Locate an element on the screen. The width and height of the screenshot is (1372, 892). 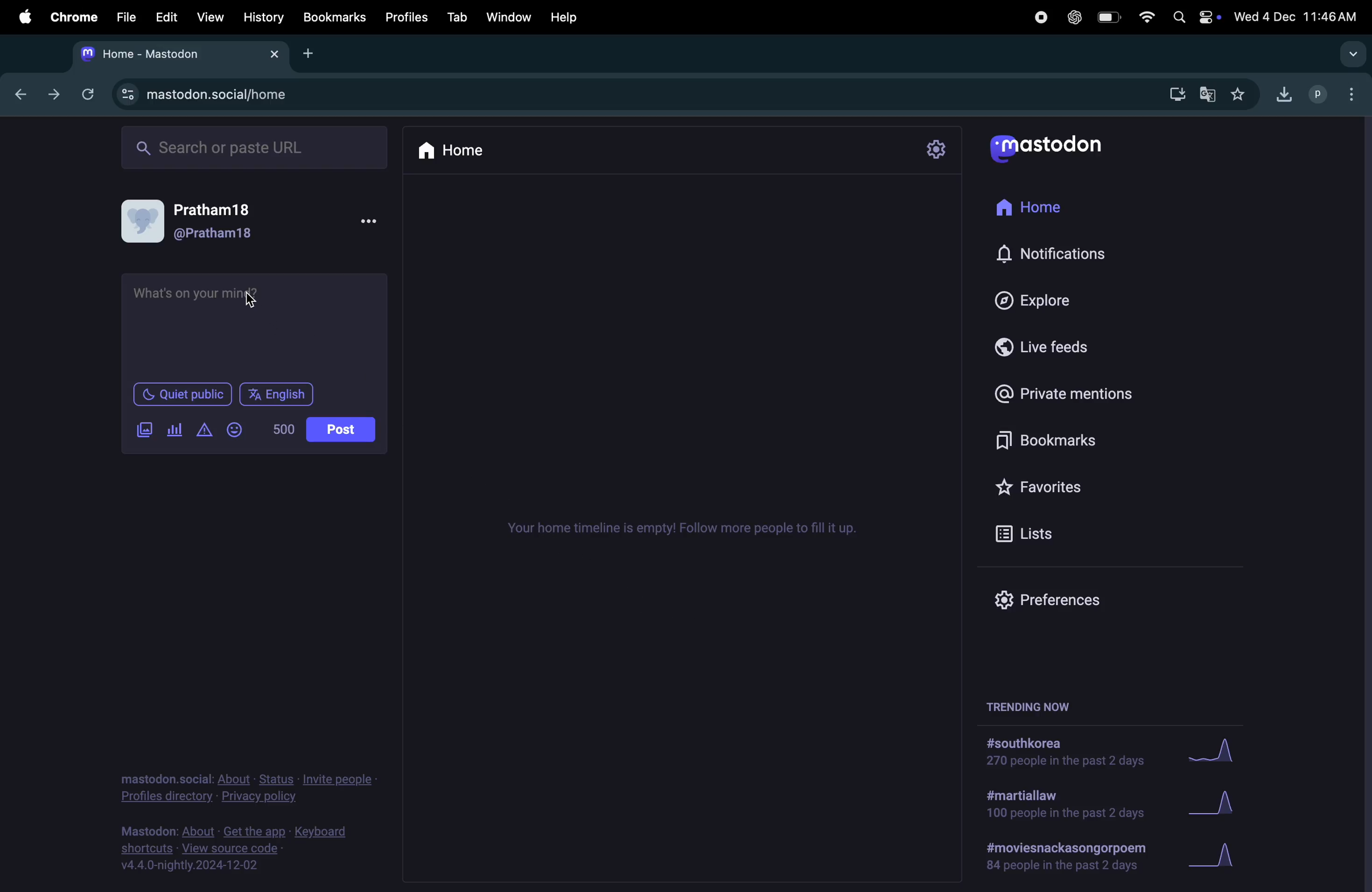
refresh is located at coordinates (92, 95).